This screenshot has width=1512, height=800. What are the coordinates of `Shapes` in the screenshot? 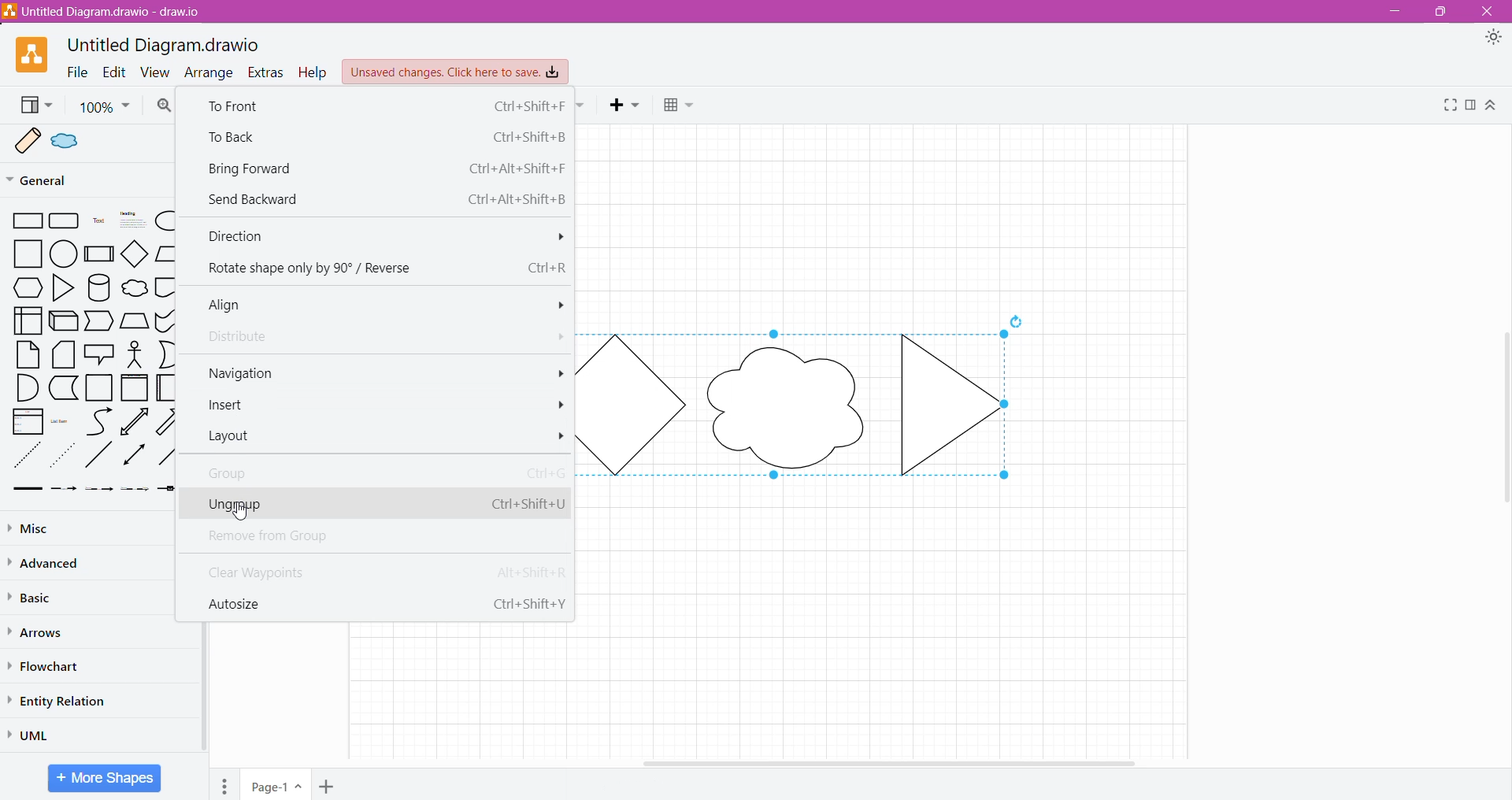 It's located at (91, 352).